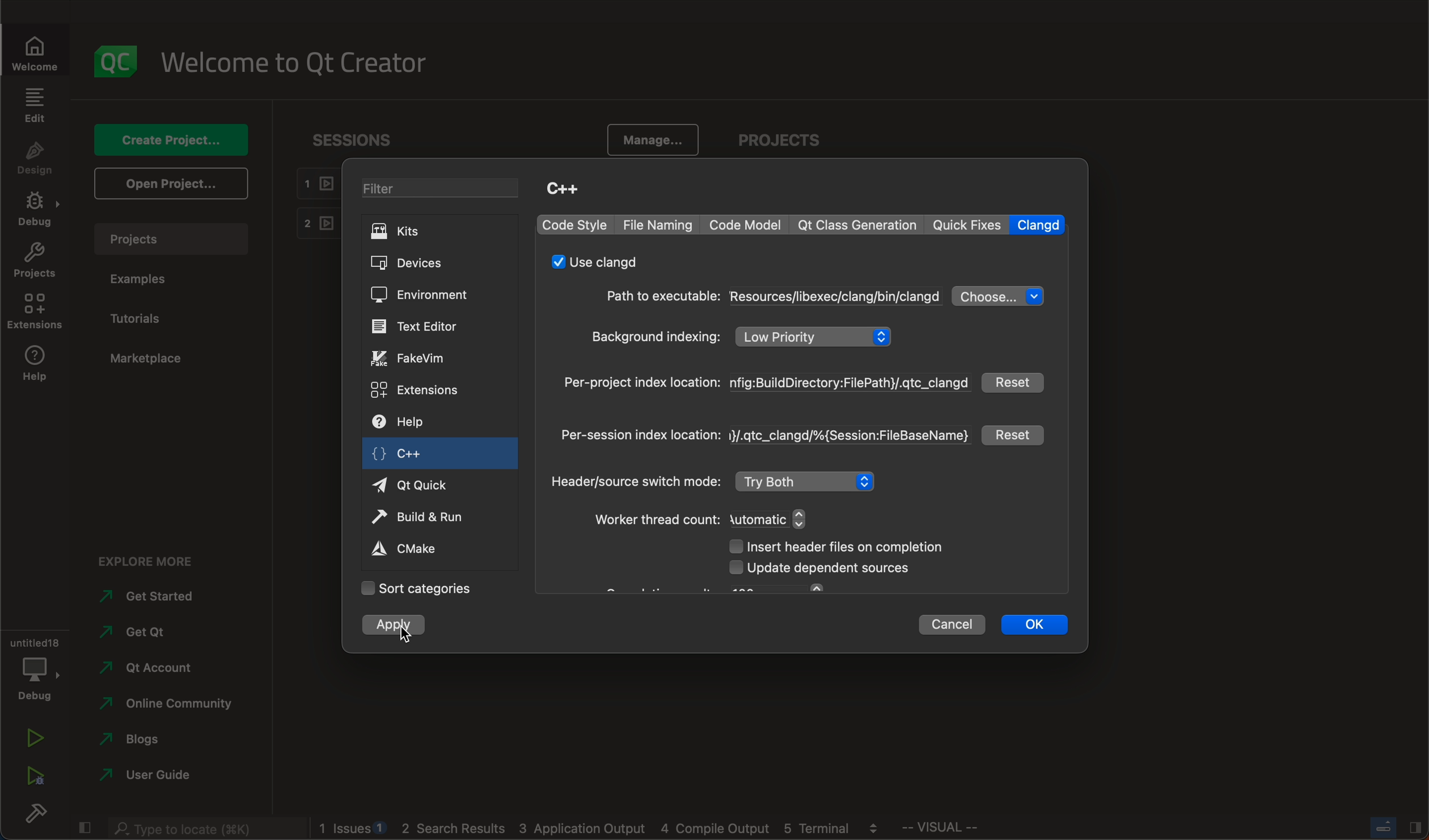 The height and width of the screenshot is (840, 1429). What do you see at coordinates (427, 515) in the screenshot?
I see `build and run` at bounding box center [427, 515].